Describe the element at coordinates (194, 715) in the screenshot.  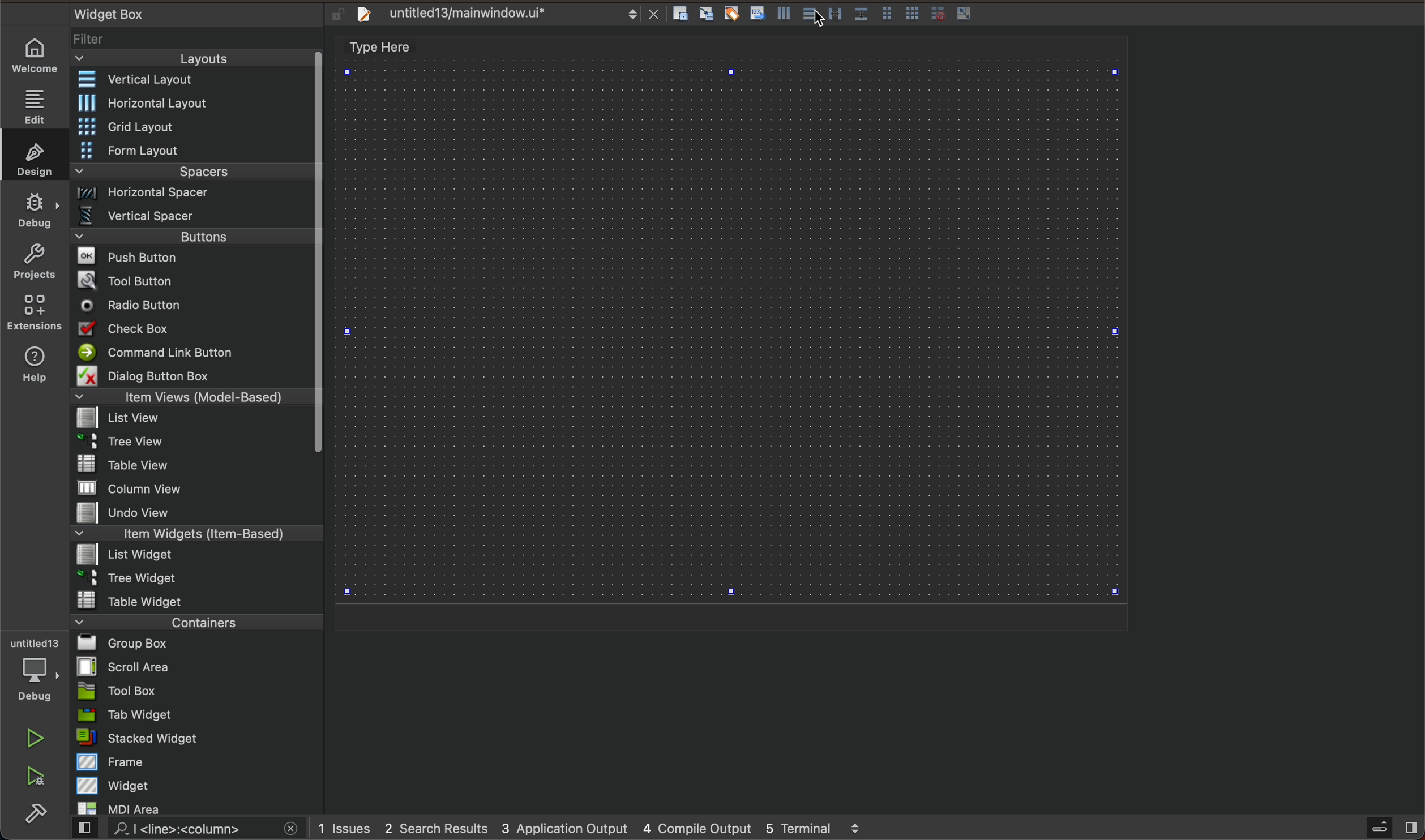
I see `tab widget` at that location.